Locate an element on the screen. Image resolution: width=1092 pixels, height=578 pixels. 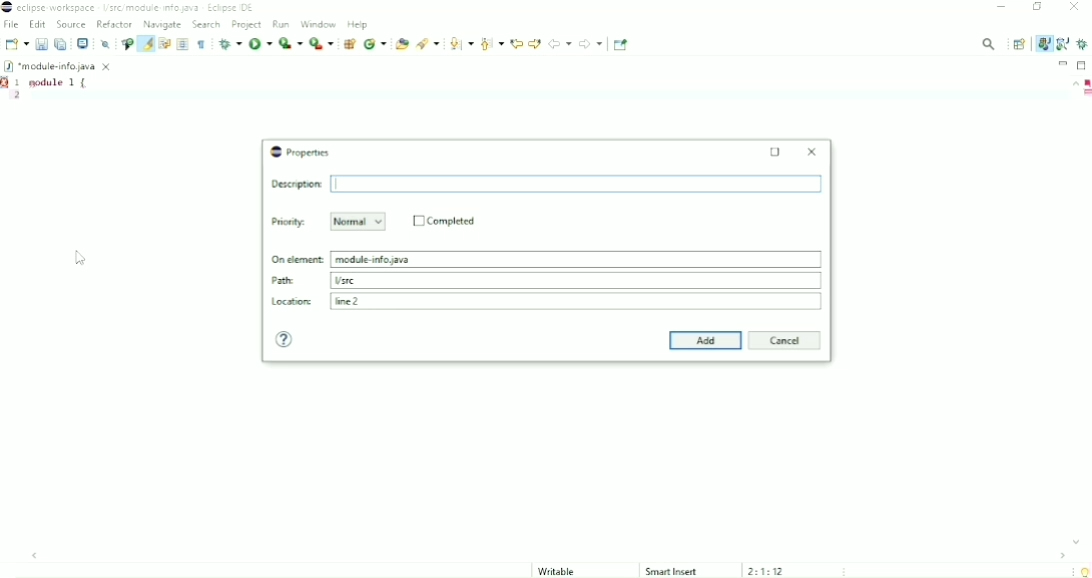
Errors is located at coordinates (1086, 82).